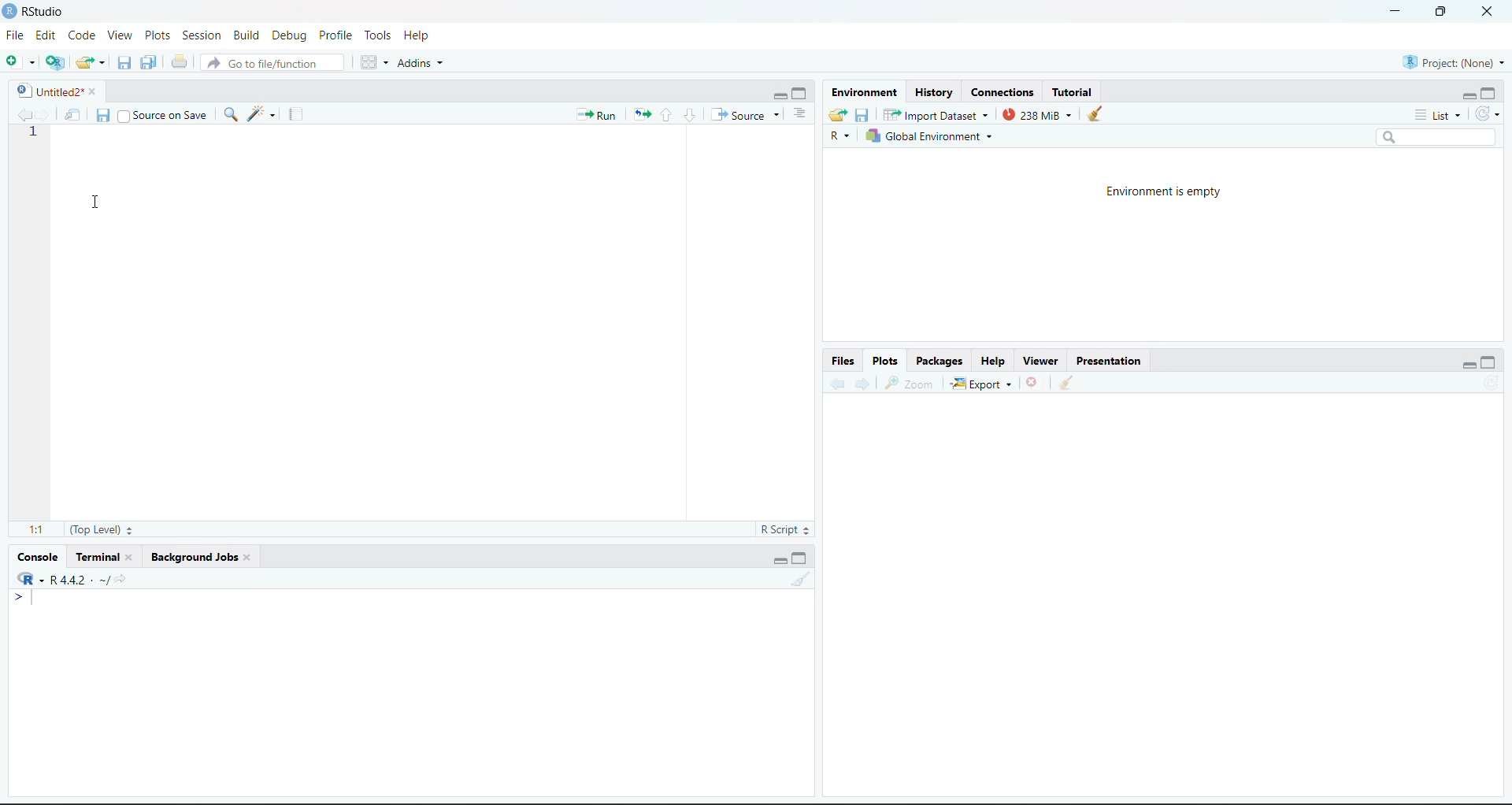 The width and height of the screenshot is (1512, 805). What do you see at coordinates (44, 12) in the screenshot?
I see `RStudio` at bounding box center [44, 12].